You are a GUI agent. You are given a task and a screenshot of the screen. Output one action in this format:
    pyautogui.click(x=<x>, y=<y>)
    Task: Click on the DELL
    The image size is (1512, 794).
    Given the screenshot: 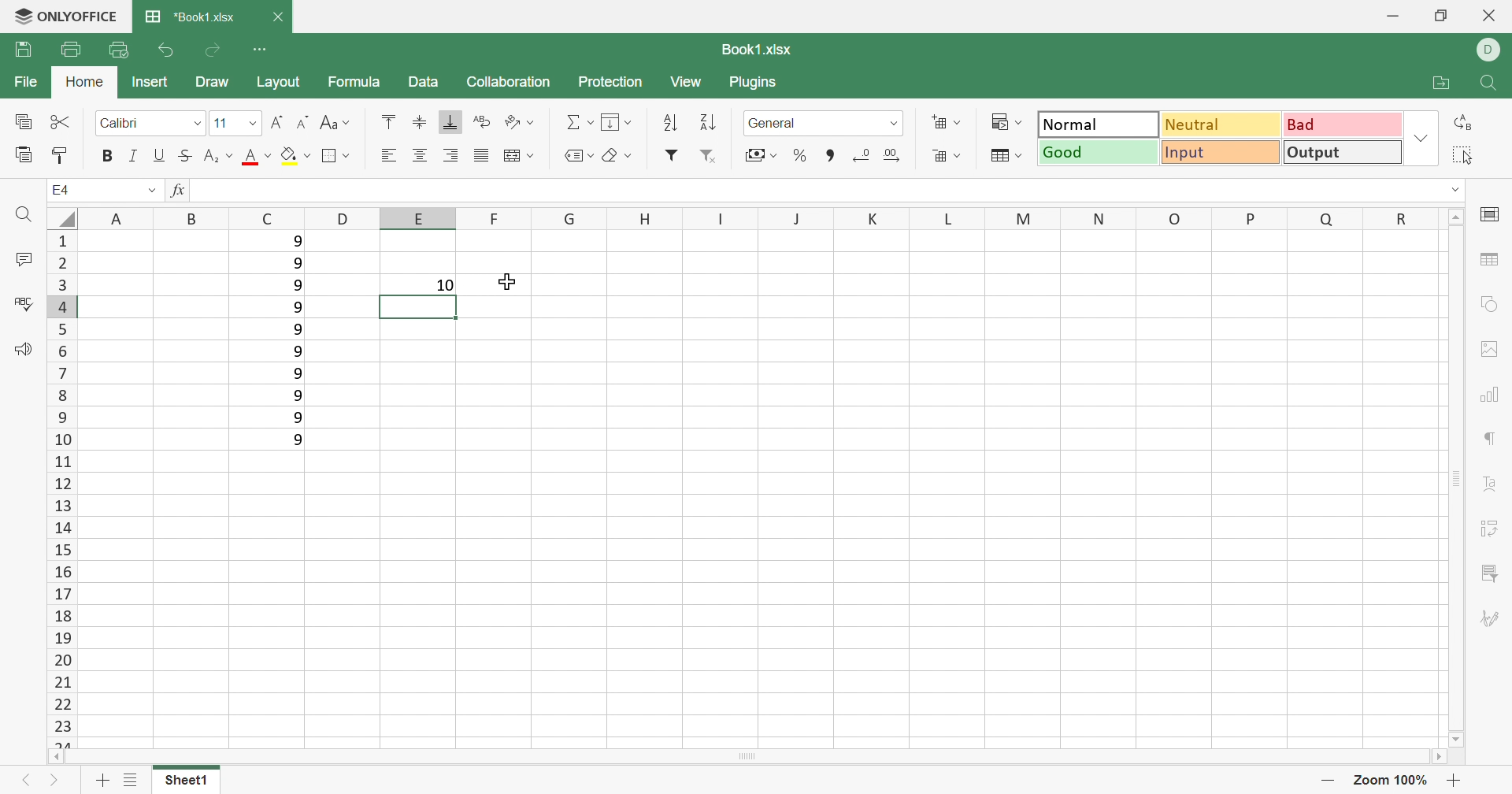 What is the action you would take?
    pyautogui.click(x=1493, y=48)
    